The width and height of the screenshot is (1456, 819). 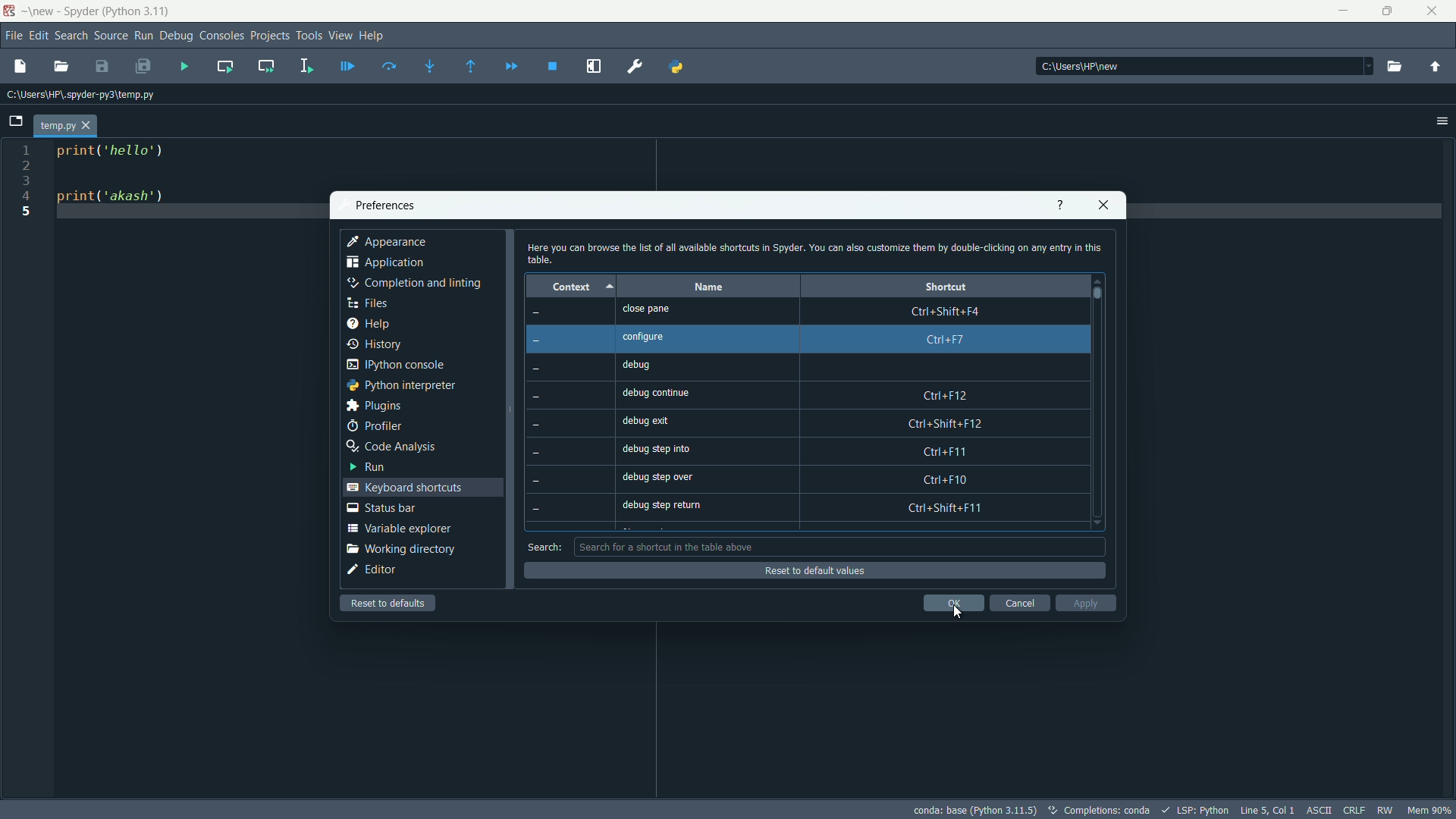 What do you see at coordinates (142, 67) in the screenshot?
I see `save all files` at bounding box center [142, 67].